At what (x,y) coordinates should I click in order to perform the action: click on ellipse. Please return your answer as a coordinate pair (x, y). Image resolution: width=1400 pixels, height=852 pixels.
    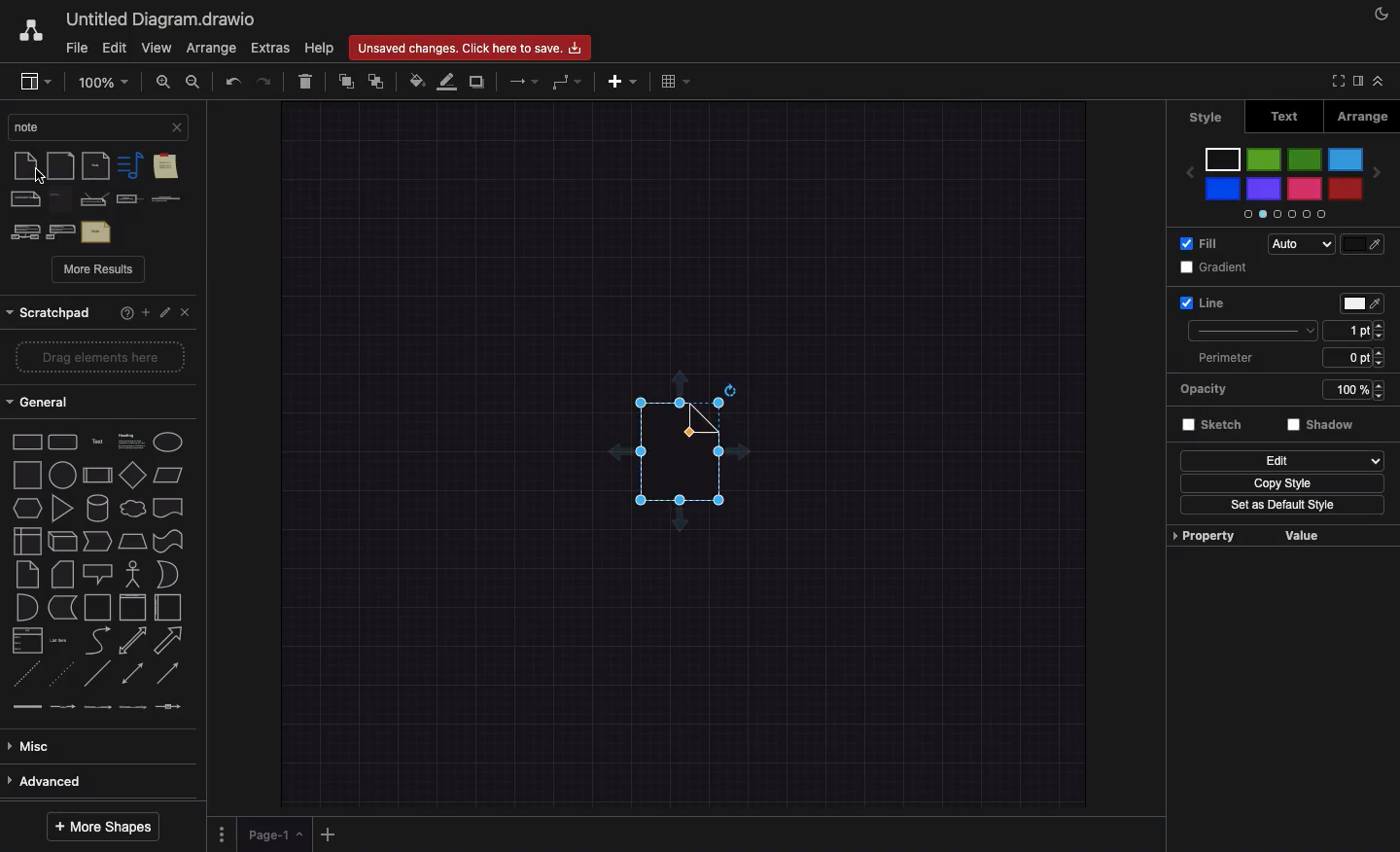
    Looking at the image, I should click on (169, 442).